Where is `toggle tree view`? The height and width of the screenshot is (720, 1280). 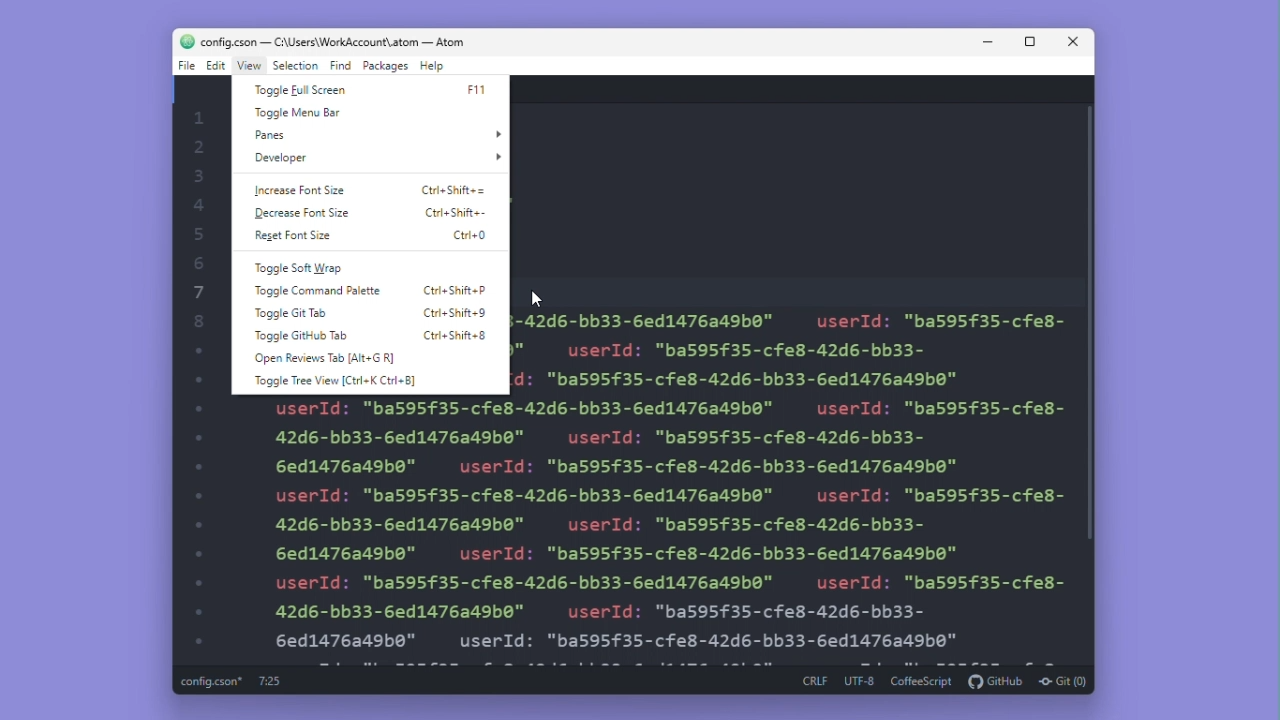
toggle tree view is located at coordinates (334, 380).